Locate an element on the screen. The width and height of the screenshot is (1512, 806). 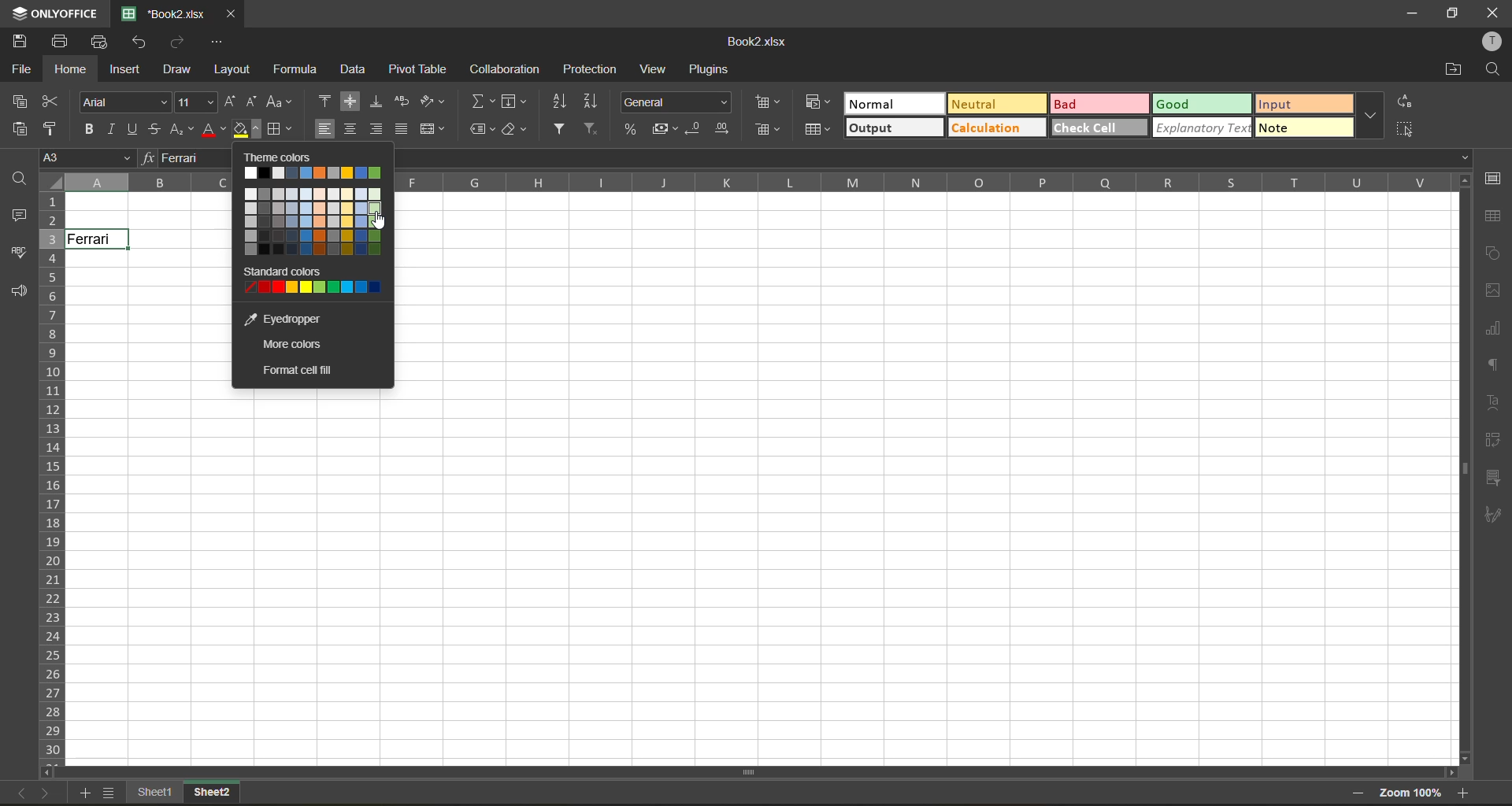
note is located at coordinates (1306, 128).